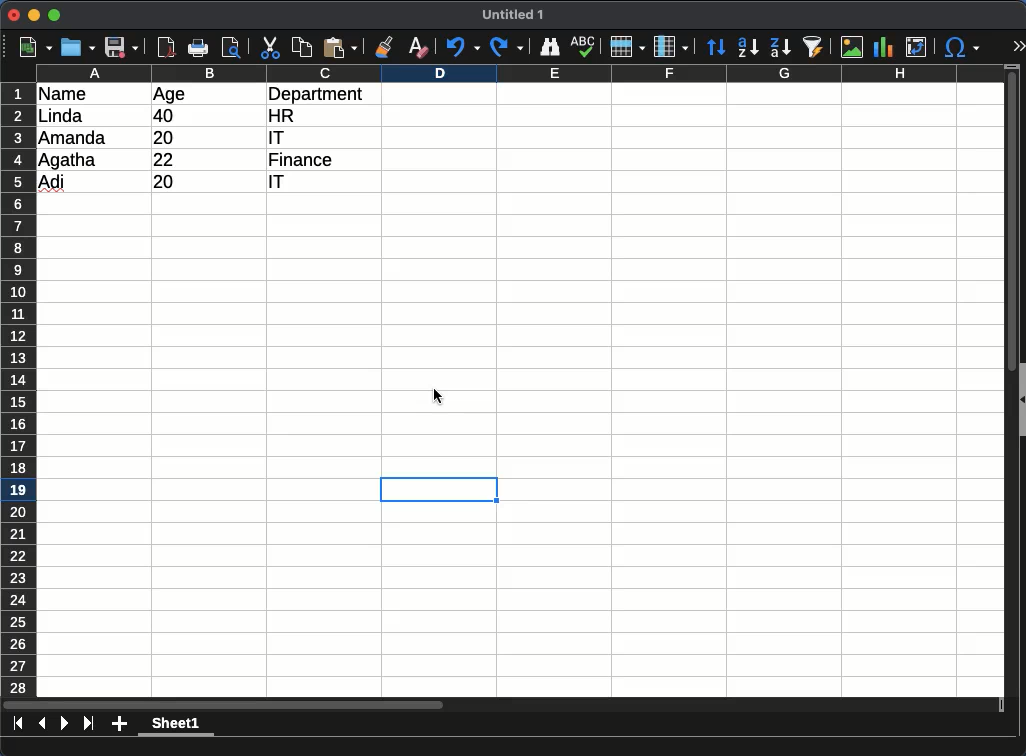 The width and height of the screenshot is (1026, 756). What do you see at coordinates (201, 47) in the screenshot?
I see `print` at bounding box center [201, 47].